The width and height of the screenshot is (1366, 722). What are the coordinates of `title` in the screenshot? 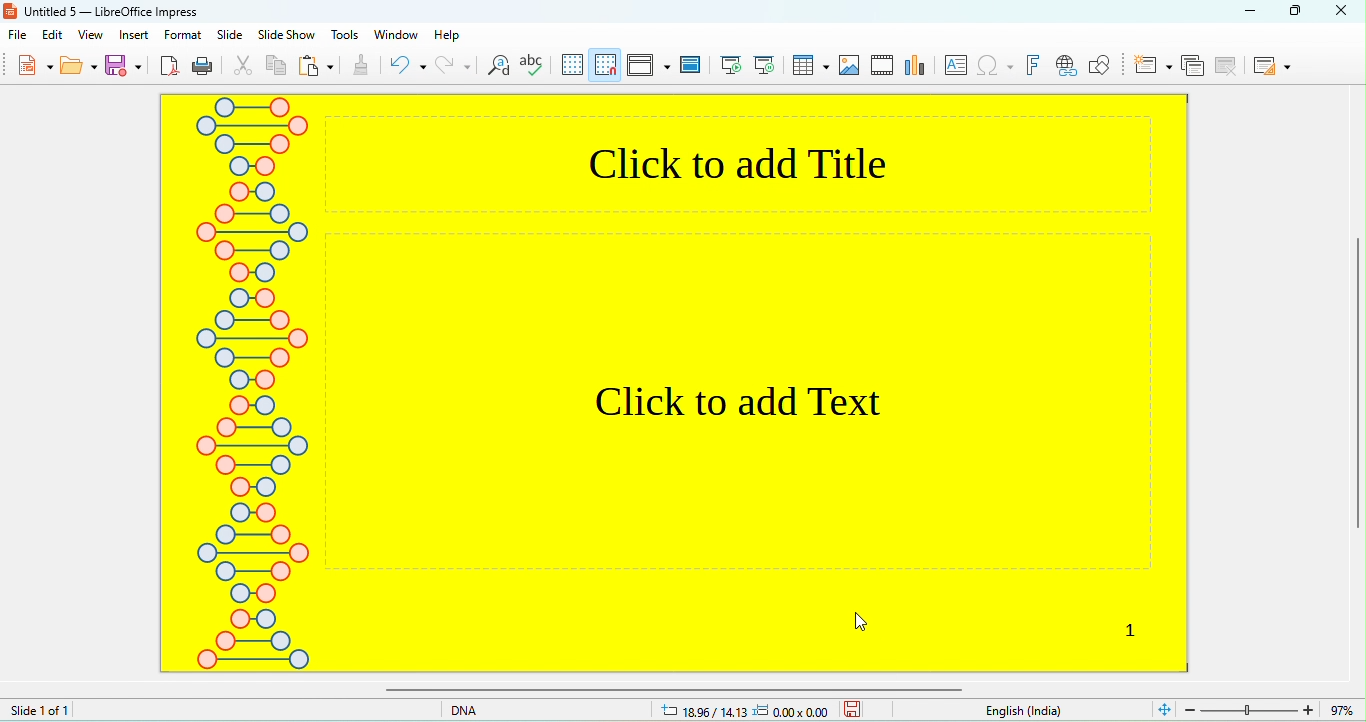 It's located at (105, 11).